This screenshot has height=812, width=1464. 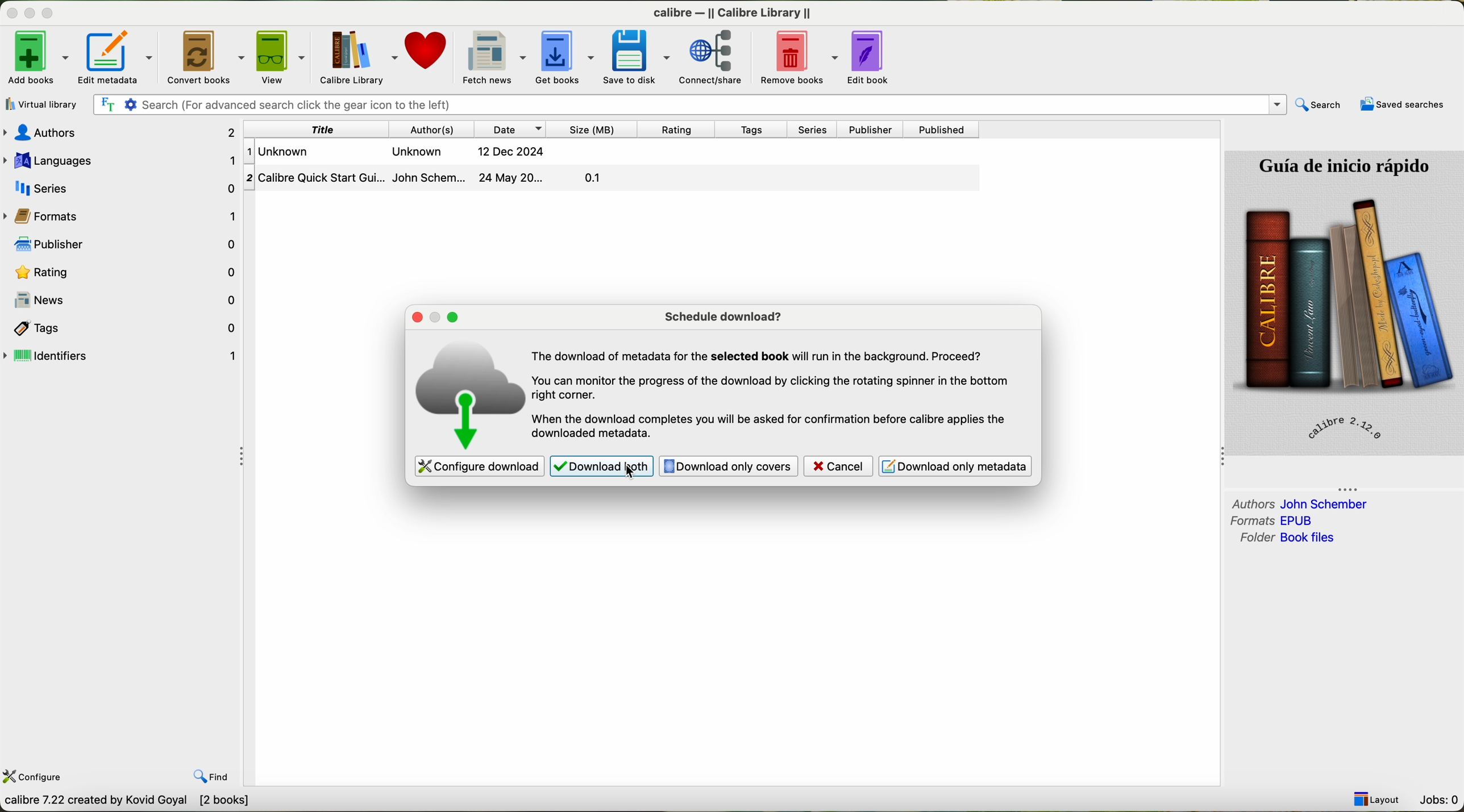 What do you see at coordinates (748, 131) in the screenshot?
I see `tags` at bounding box center [748, 131].